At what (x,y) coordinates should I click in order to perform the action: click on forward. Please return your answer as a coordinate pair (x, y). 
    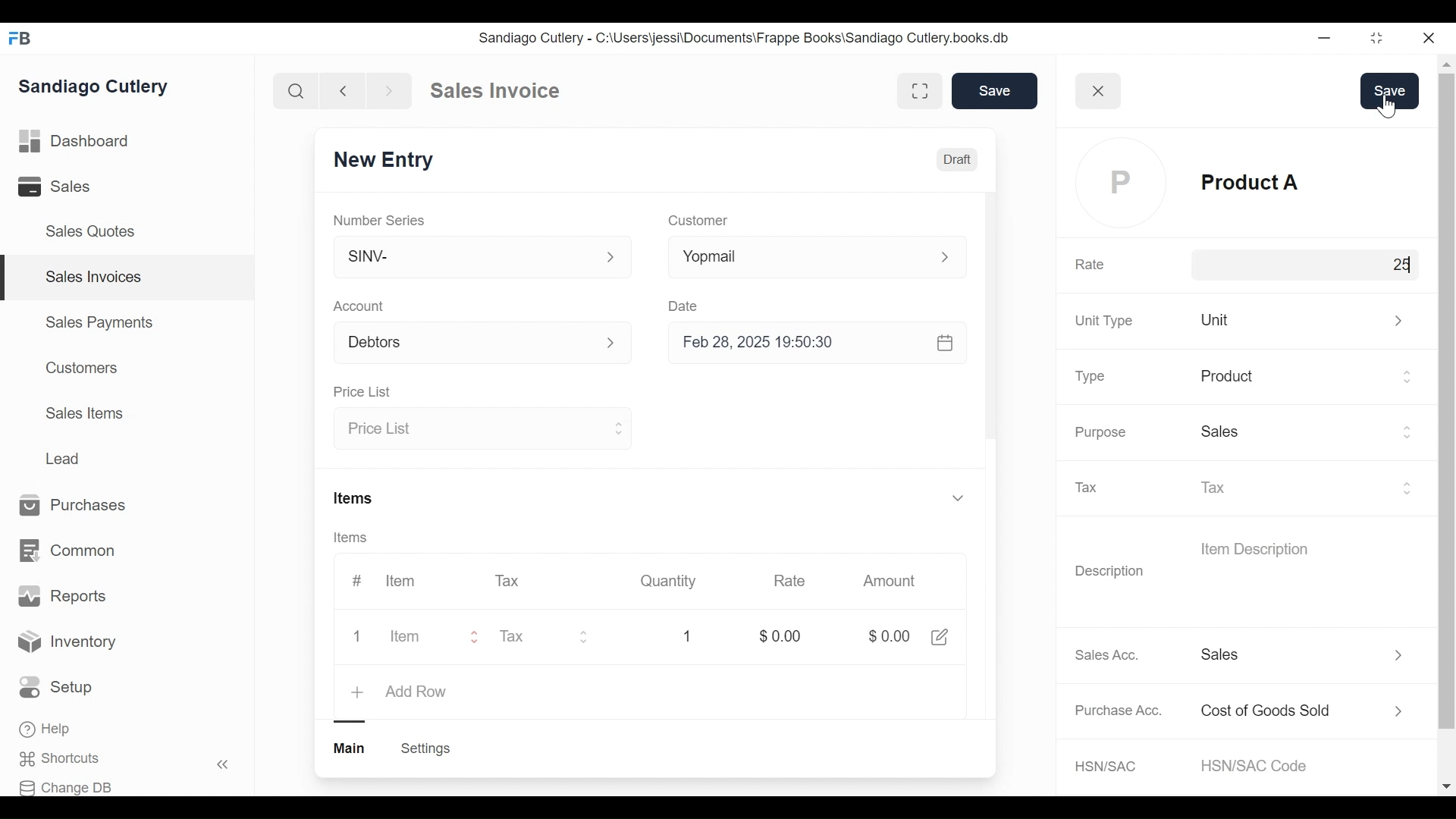
    Looking at the image, I should click on (390, 89).